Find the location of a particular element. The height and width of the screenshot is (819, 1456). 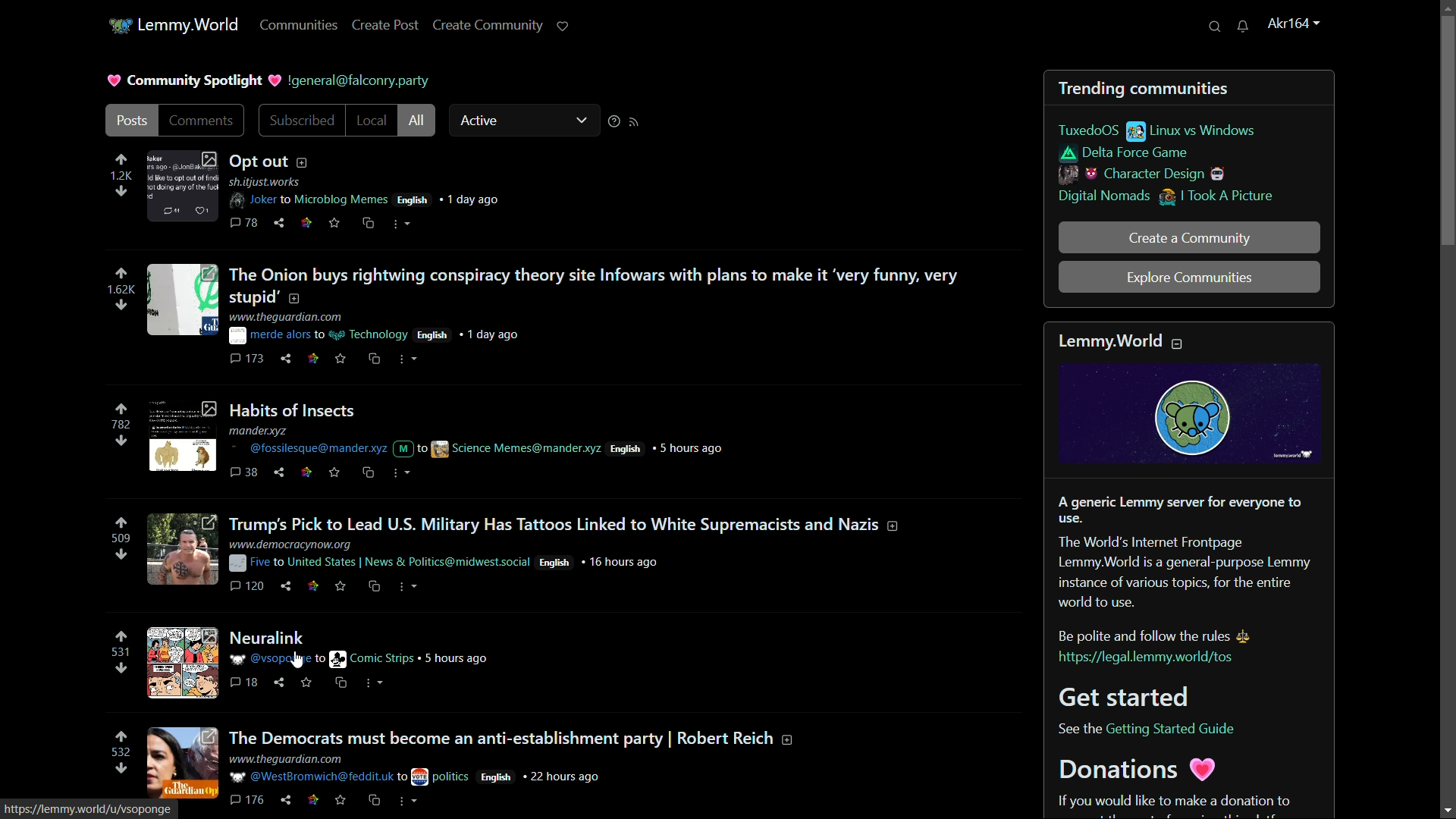

downvote is located at coordinates (121, 192).